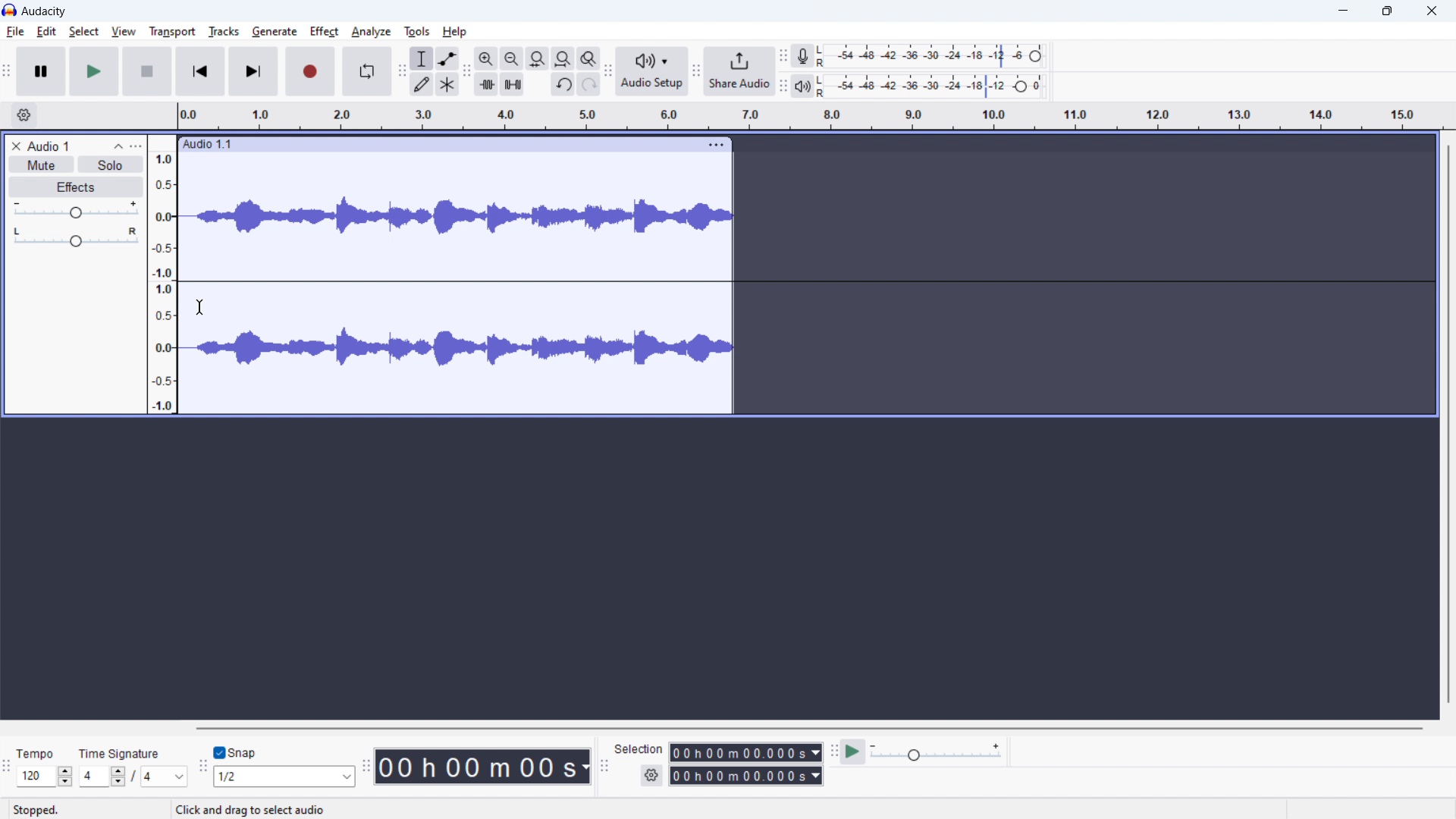 The width and height of the screenshot is (1456, 819). I want to click on selection settings, so click(651, 776).